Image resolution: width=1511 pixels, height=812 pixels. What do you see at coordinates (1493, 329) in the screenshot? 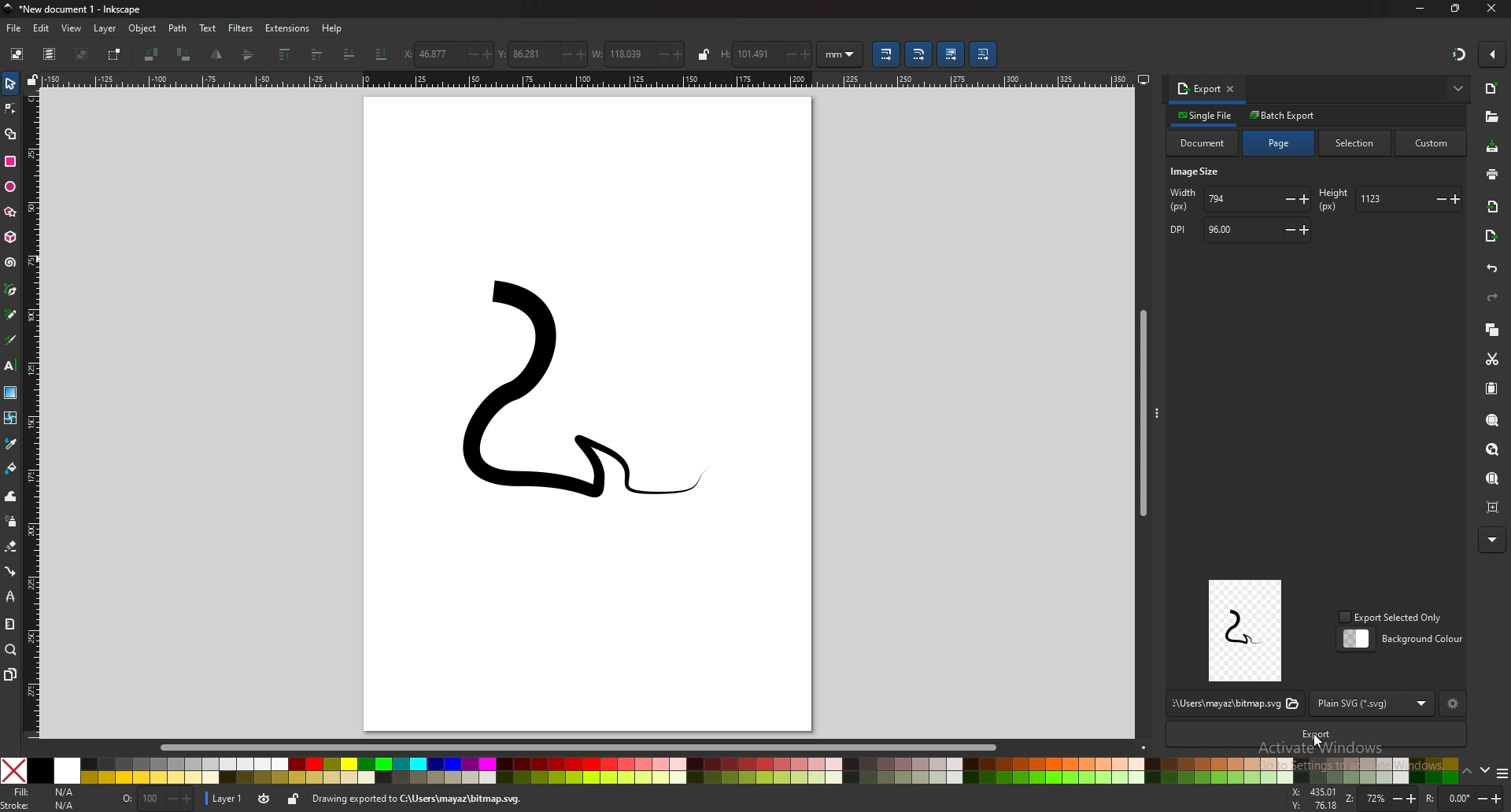
I see `copy` at bounding box center [1493, 329].